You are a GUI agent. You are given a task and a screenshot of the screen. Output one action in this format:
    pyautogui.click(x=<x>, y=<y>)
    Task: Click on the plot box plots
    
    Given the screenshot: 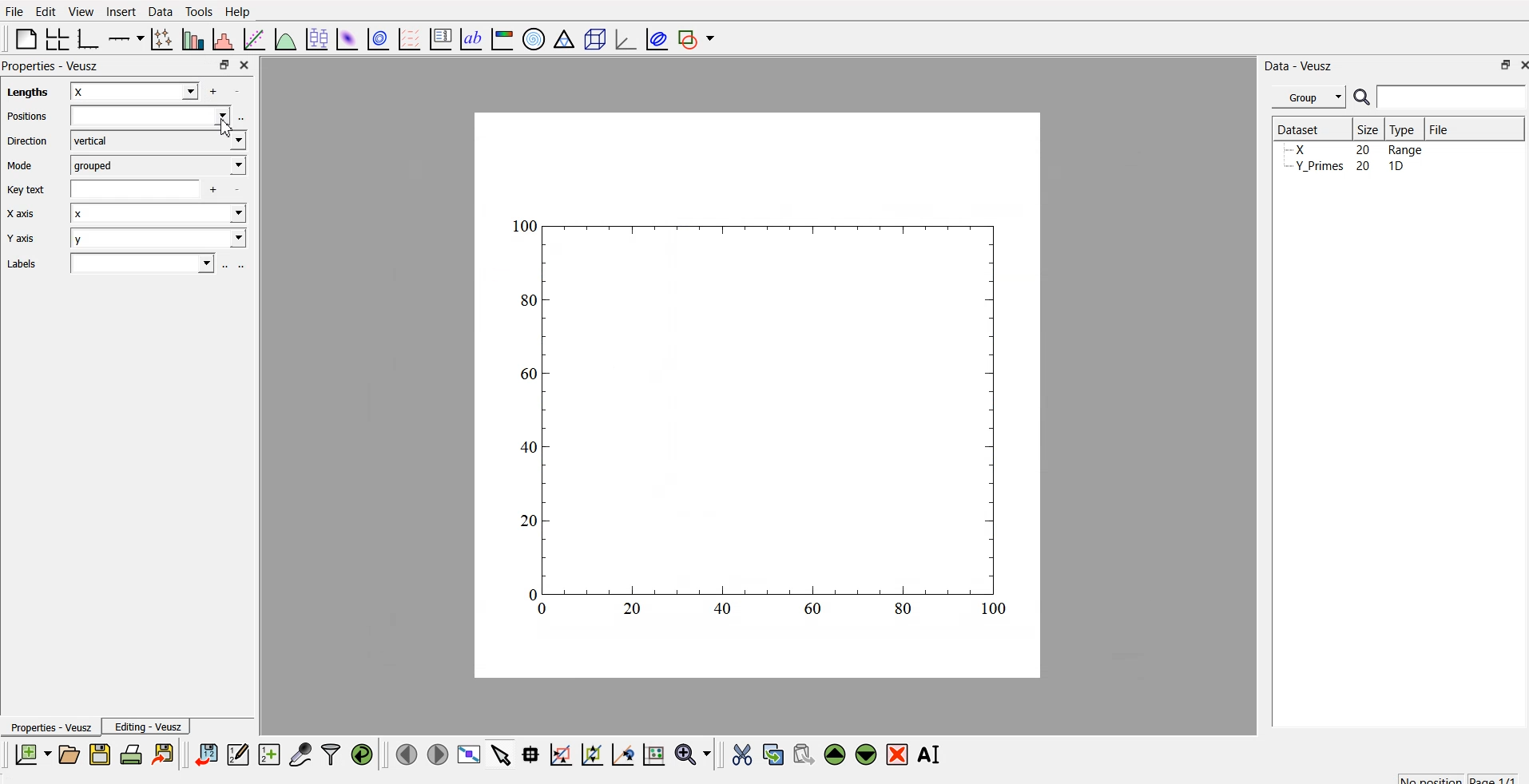 What is the action you would take?
    pyautogui.click(x=315, y=38)
    